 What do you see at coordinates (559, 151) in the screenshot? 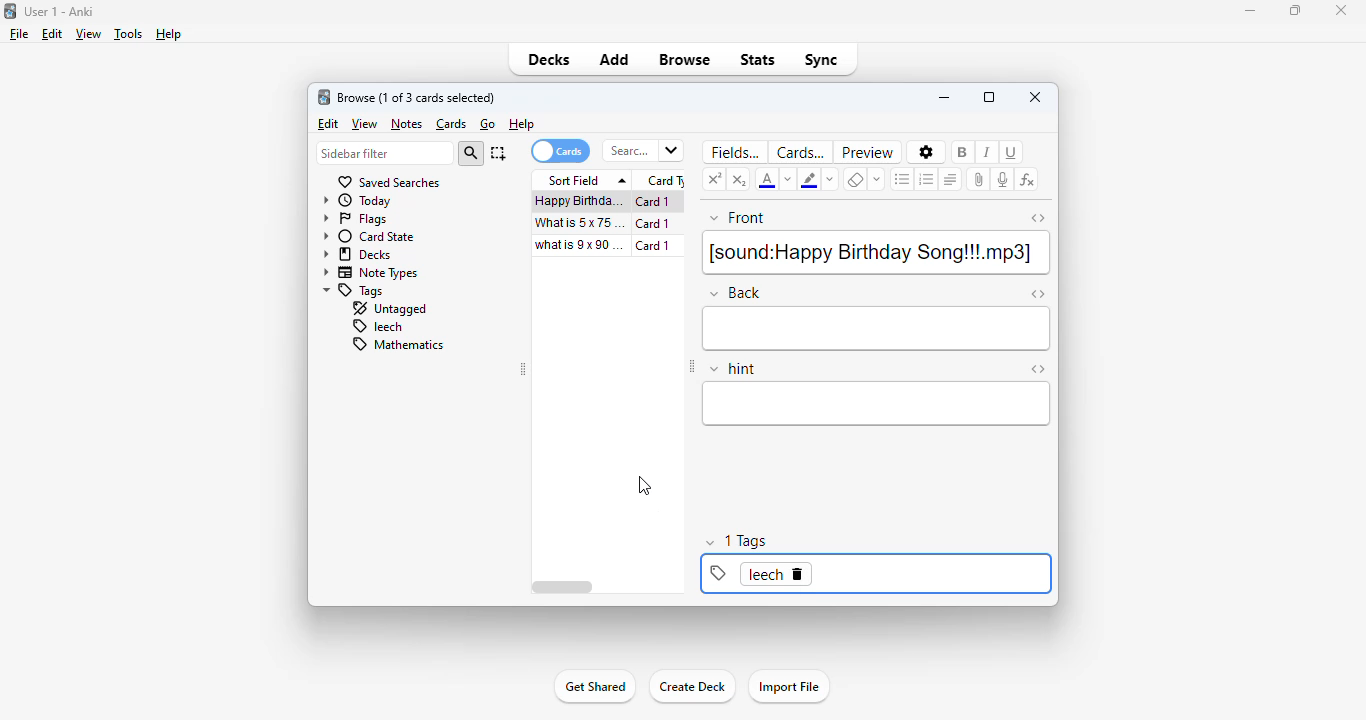
I see `cards` at bounding box center [559, 151].